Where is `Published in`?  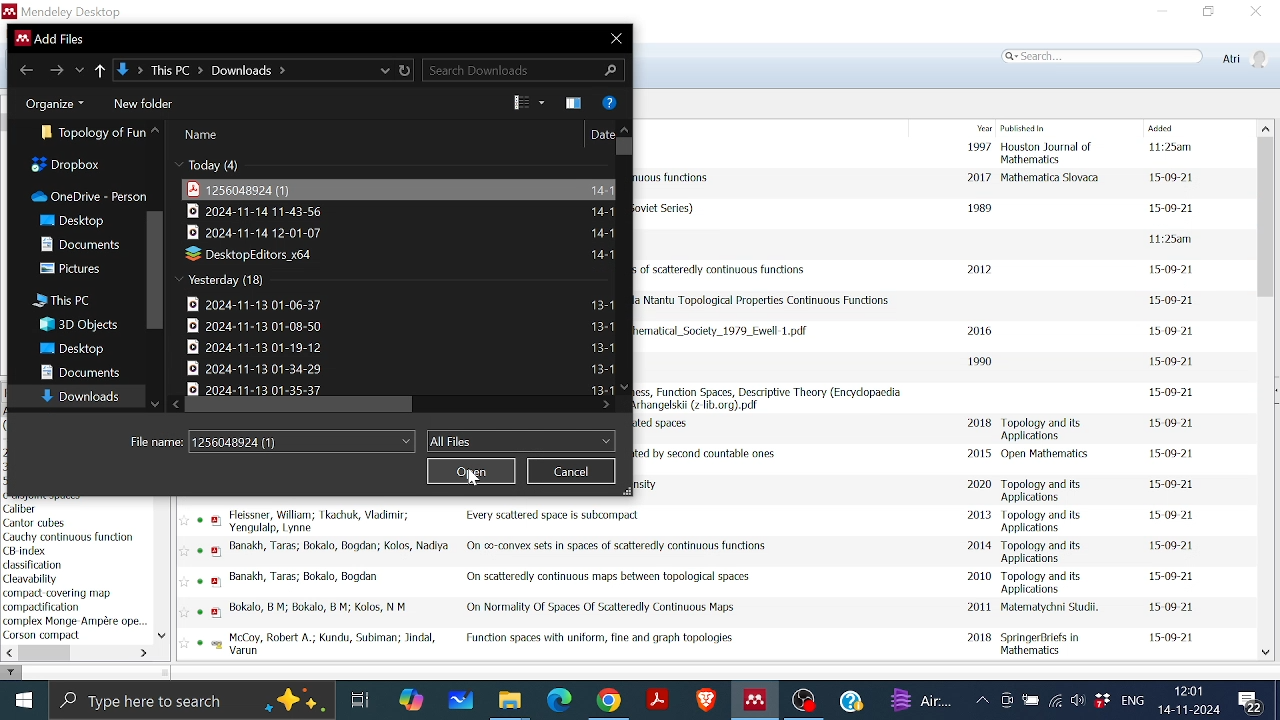 Published in is located at coordinates (1042, 429).